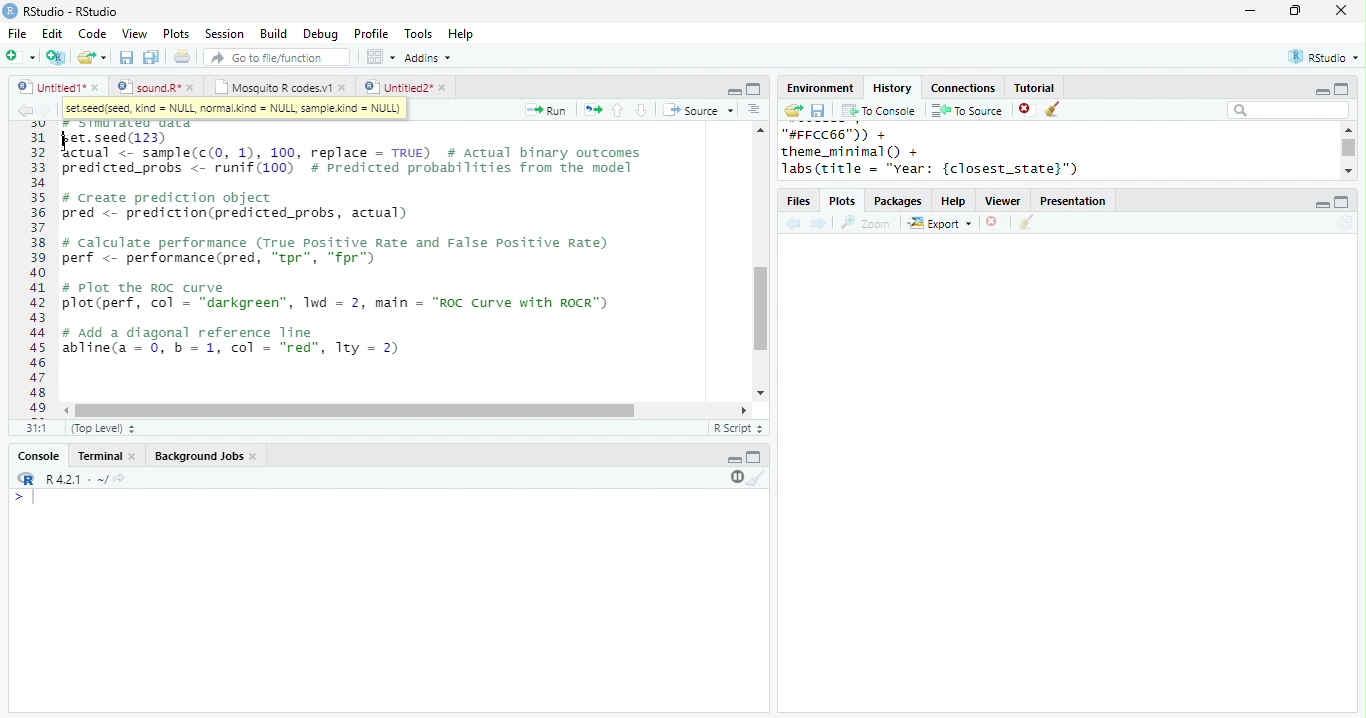 This screenshot has height=718, width=1366. What do you see at coordinates (339, 297) in the screenshot?
I see `# Plot the ROC curveplot(perf, col - "darkgreen”, 1wd = 2, main = "ROC Curve with ROCR")` at bounding box center [339, 297].